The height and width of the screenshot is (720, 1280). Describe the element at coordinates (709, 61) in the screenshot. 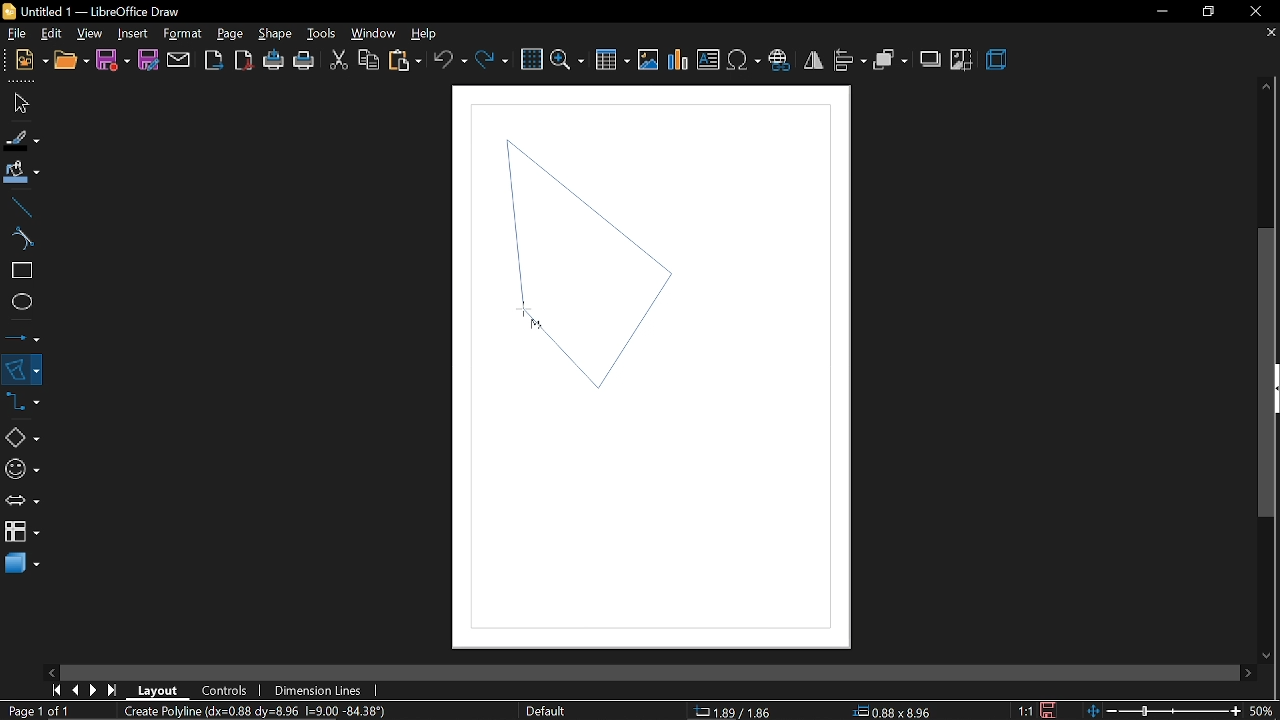

I see `insert image` at that location.